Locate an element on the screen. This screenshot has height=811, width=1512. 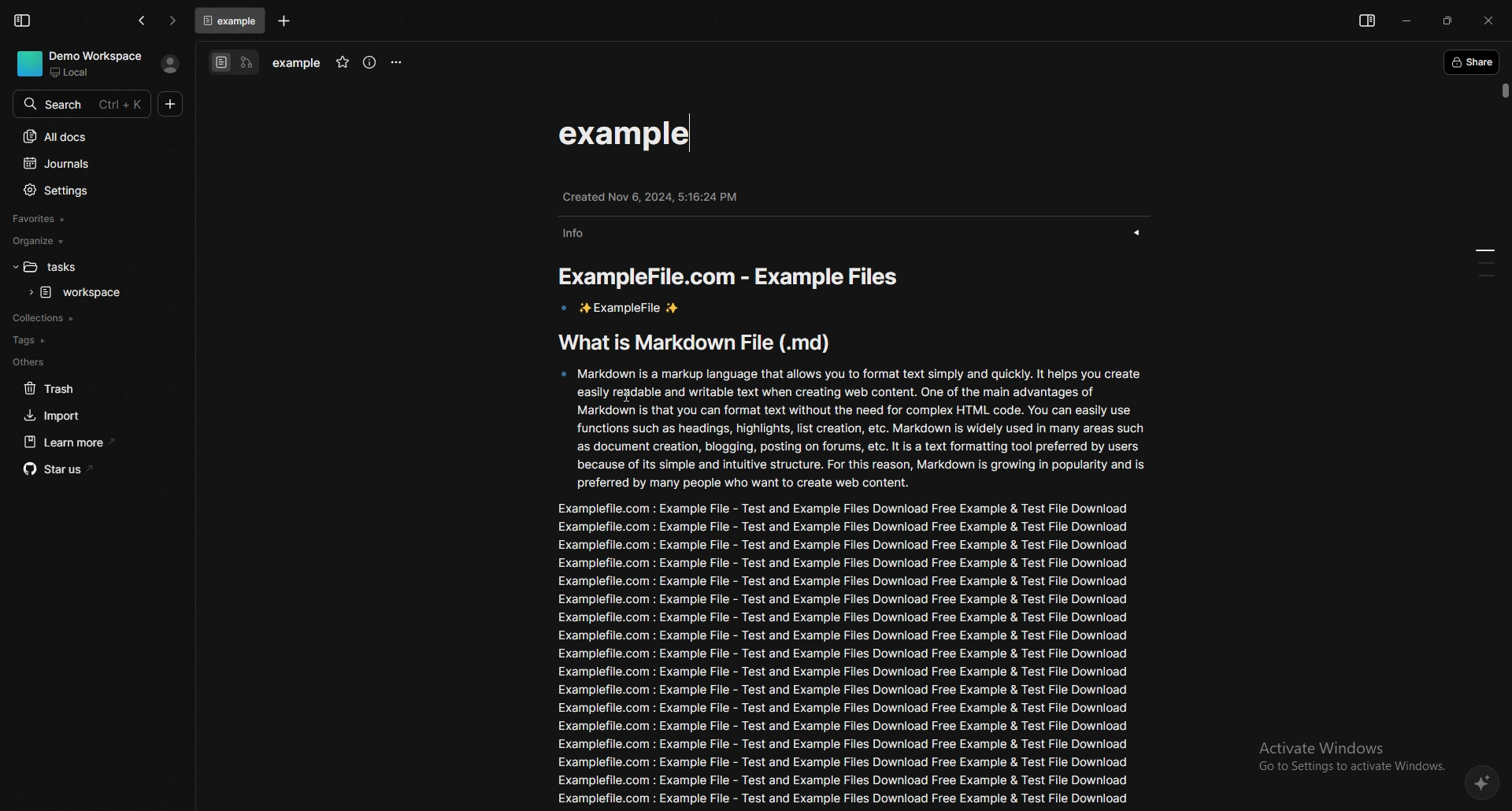
scroll bar is located at coordinates (1504, 91).